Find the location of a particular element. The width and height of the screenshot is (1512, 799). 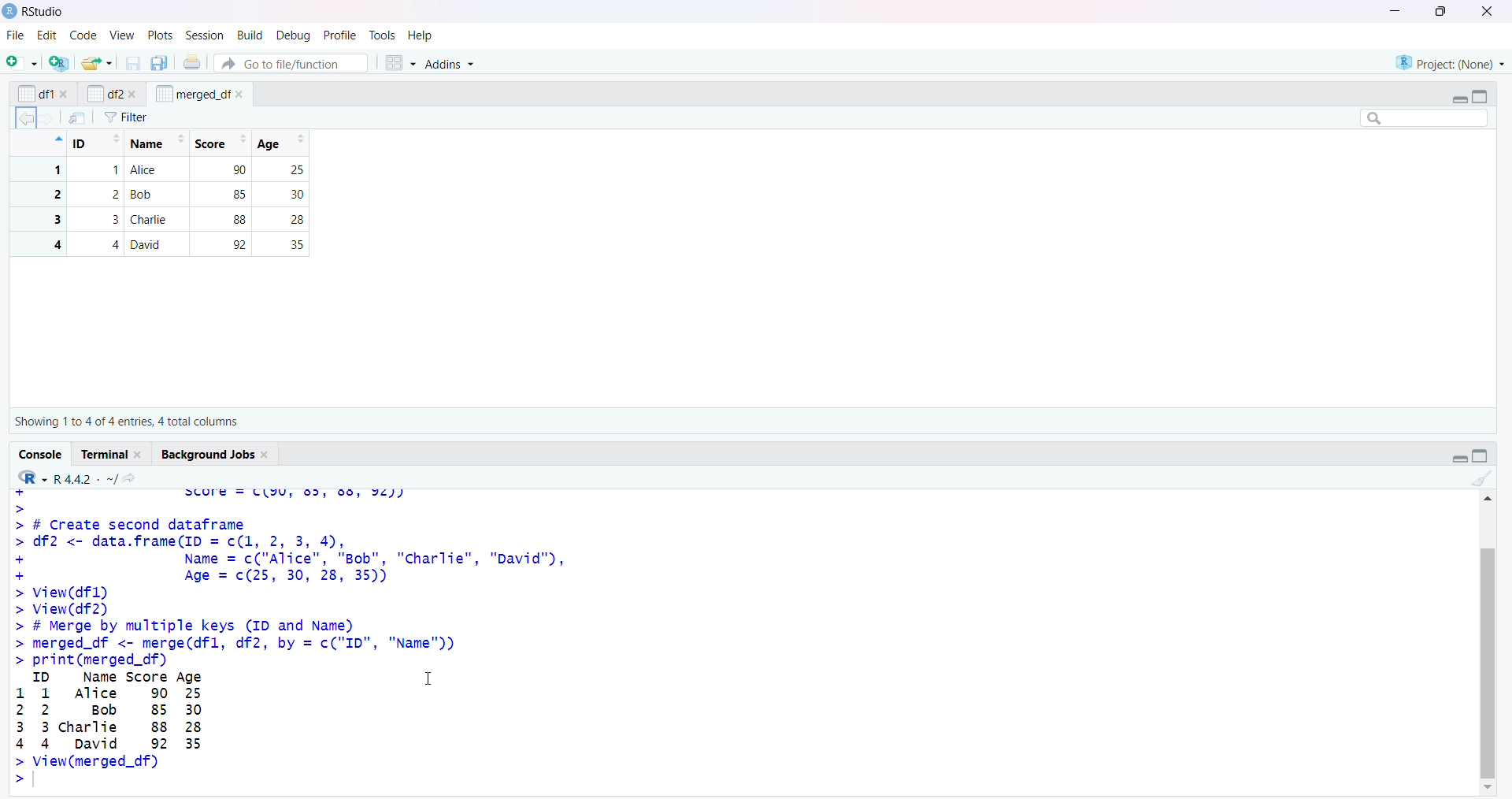

add file as is located at coordinates (25, 62).